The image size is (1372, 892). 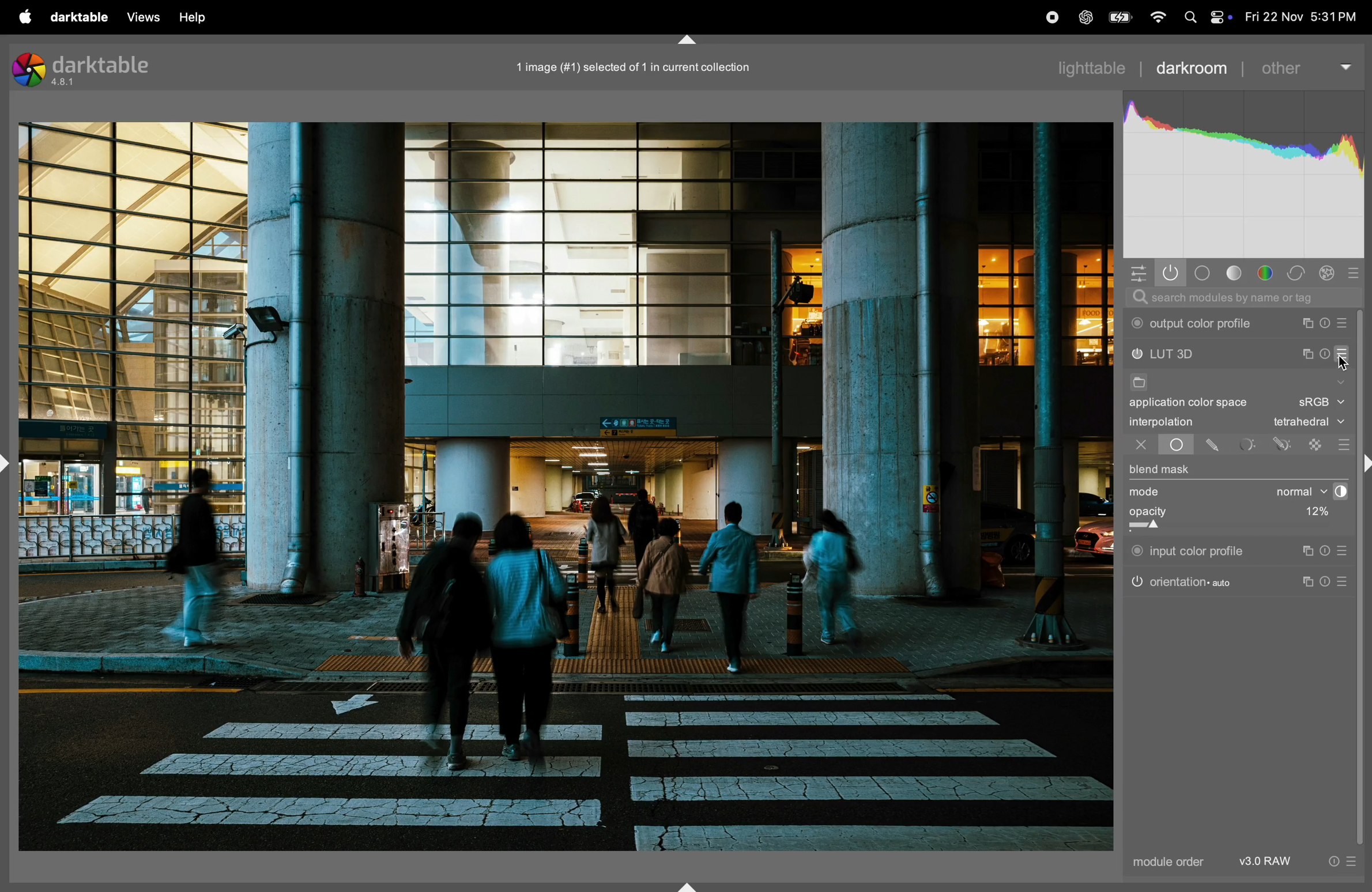 What do you see at coordinates (1325, 352) in the screenshot?
I see `reset parameters` at bounding box center [1325, 352].